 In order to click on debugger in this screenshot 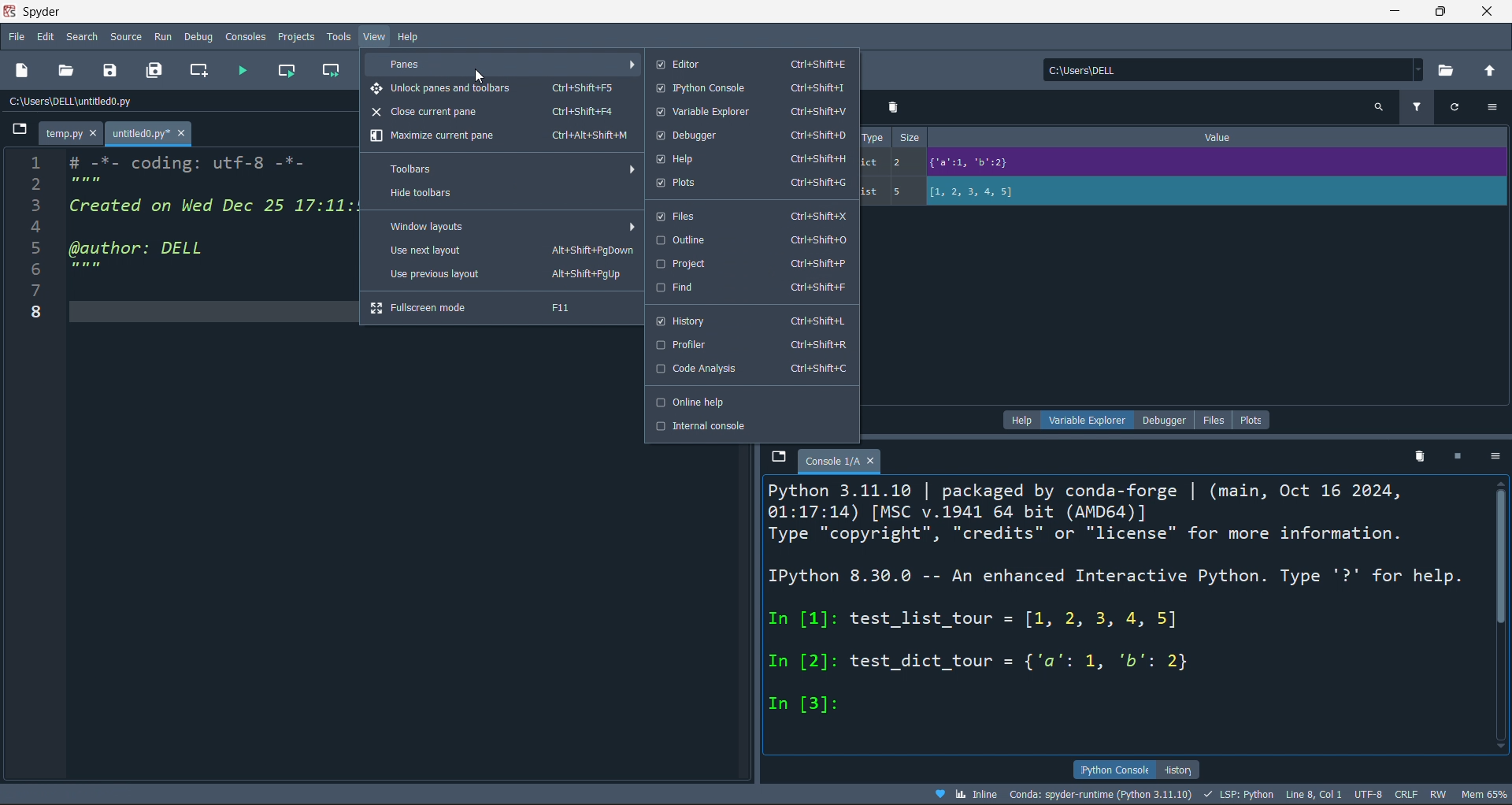, I will do `click(750, 135)`.